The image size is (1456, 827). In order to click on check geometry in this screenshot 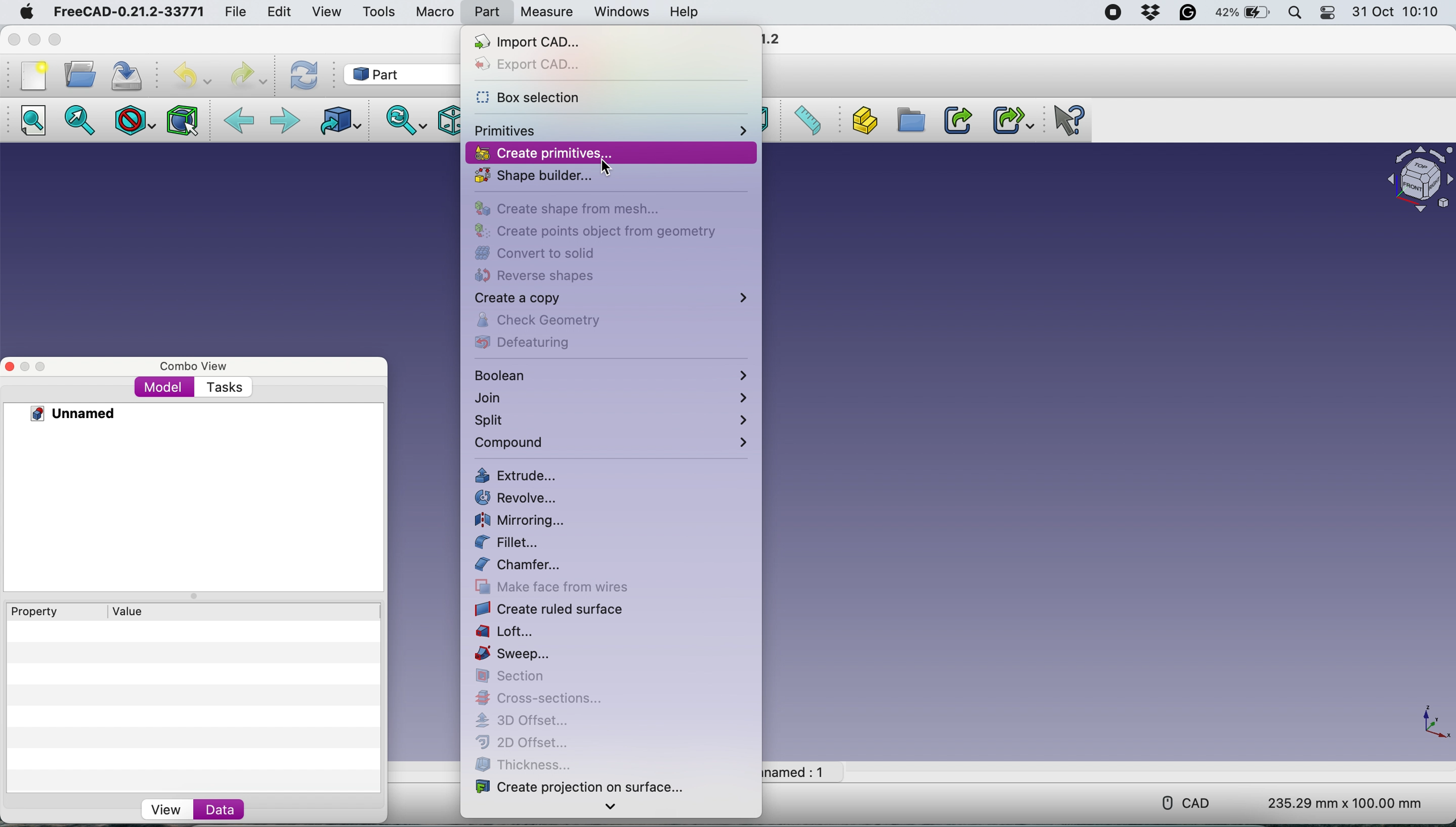, I will do `click(569, 320)`.